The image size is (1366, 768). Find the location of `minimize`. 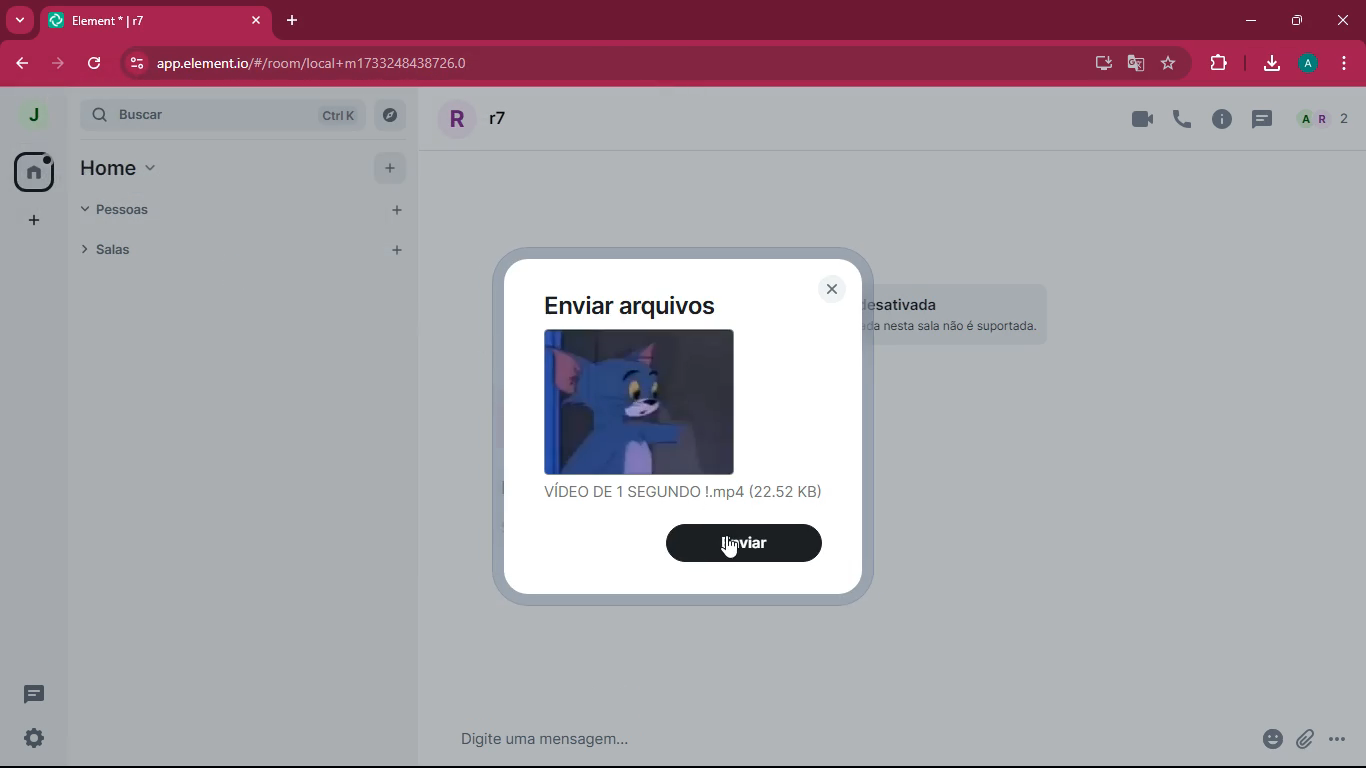

minimize is located at coordinates (1245, 20).